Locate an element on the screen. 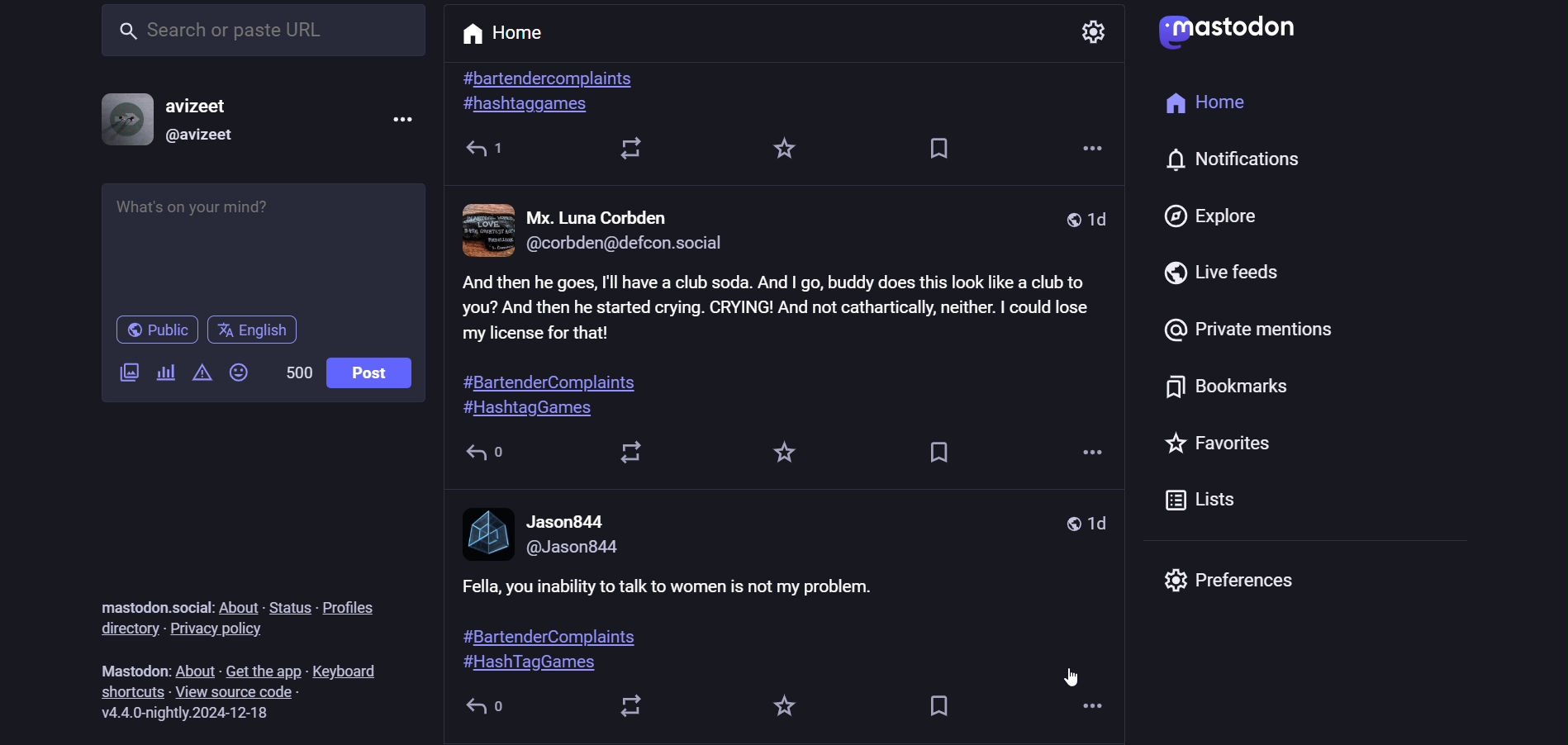 The height and width of the screenshot is (745, 1568). avizeet is located at coordinates (200, 108).